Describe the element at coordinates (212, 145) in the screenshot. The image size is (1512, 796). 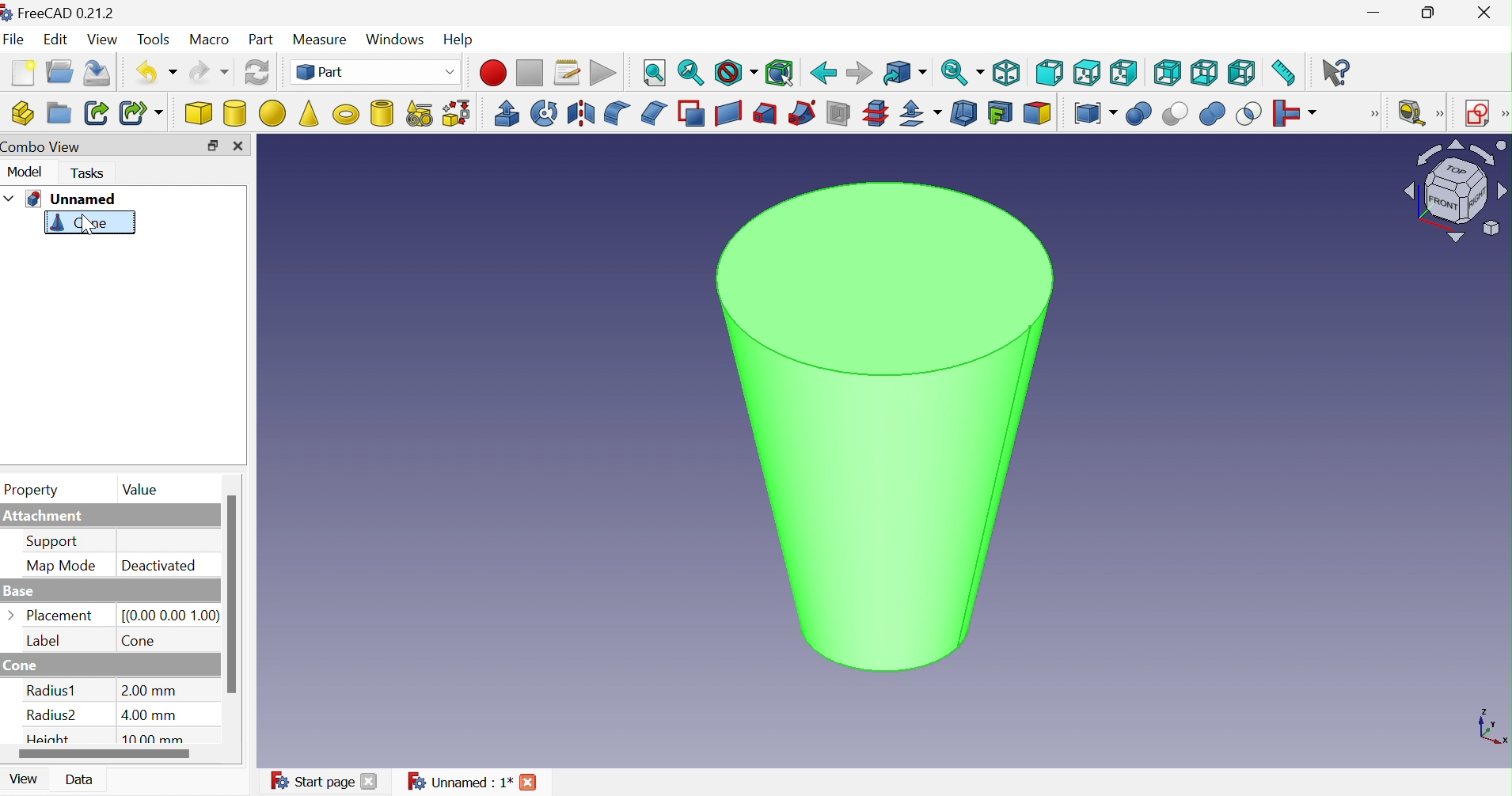
I see `Restore down` at that location.